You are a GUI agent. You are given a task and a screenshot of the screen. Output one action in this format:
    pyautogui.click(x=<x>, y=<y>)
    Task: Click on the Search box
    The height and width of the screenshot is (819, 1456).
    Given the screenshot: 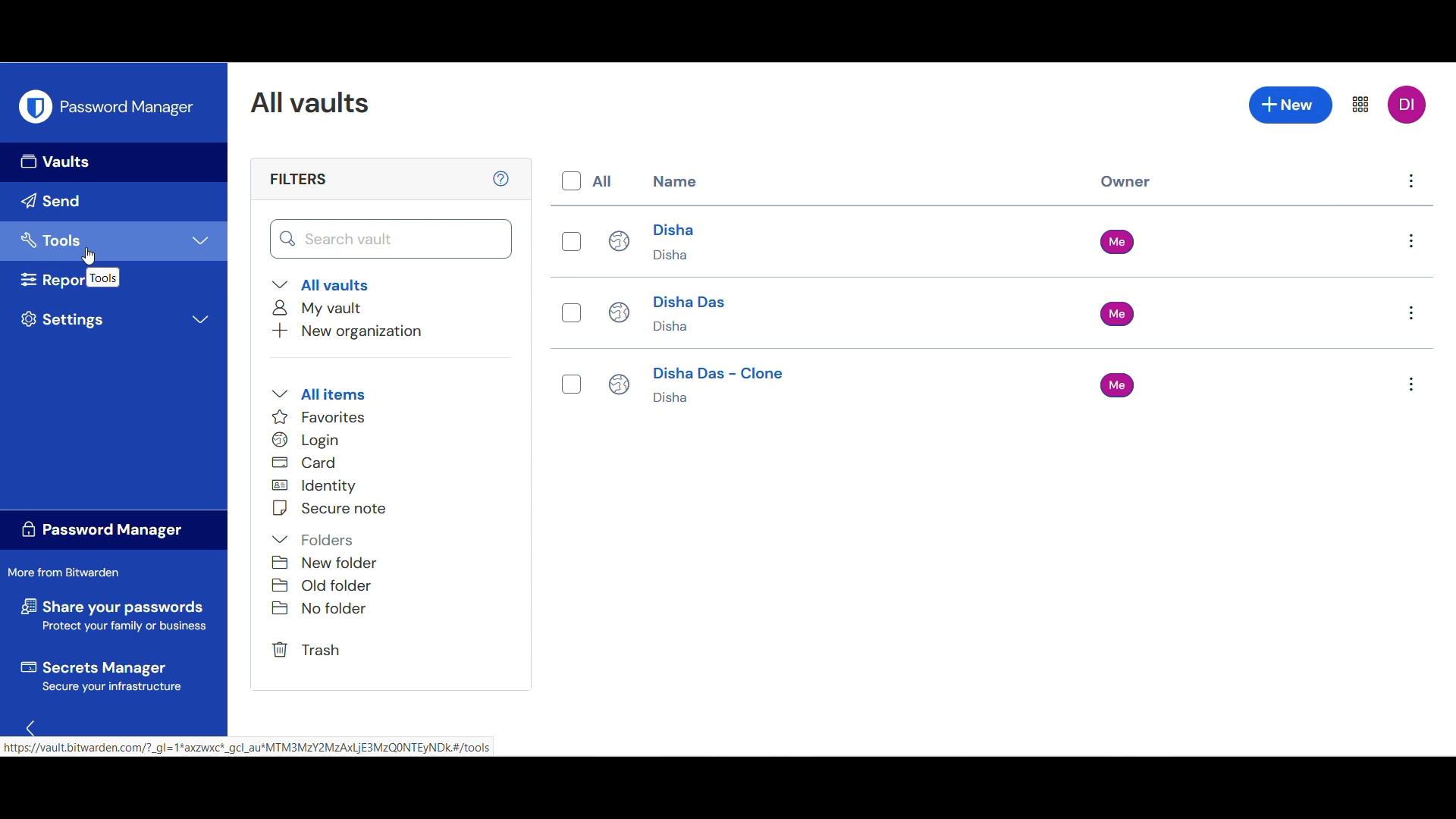 What is the action you would take?
    pyautogui.click(x=392, y=239)
    